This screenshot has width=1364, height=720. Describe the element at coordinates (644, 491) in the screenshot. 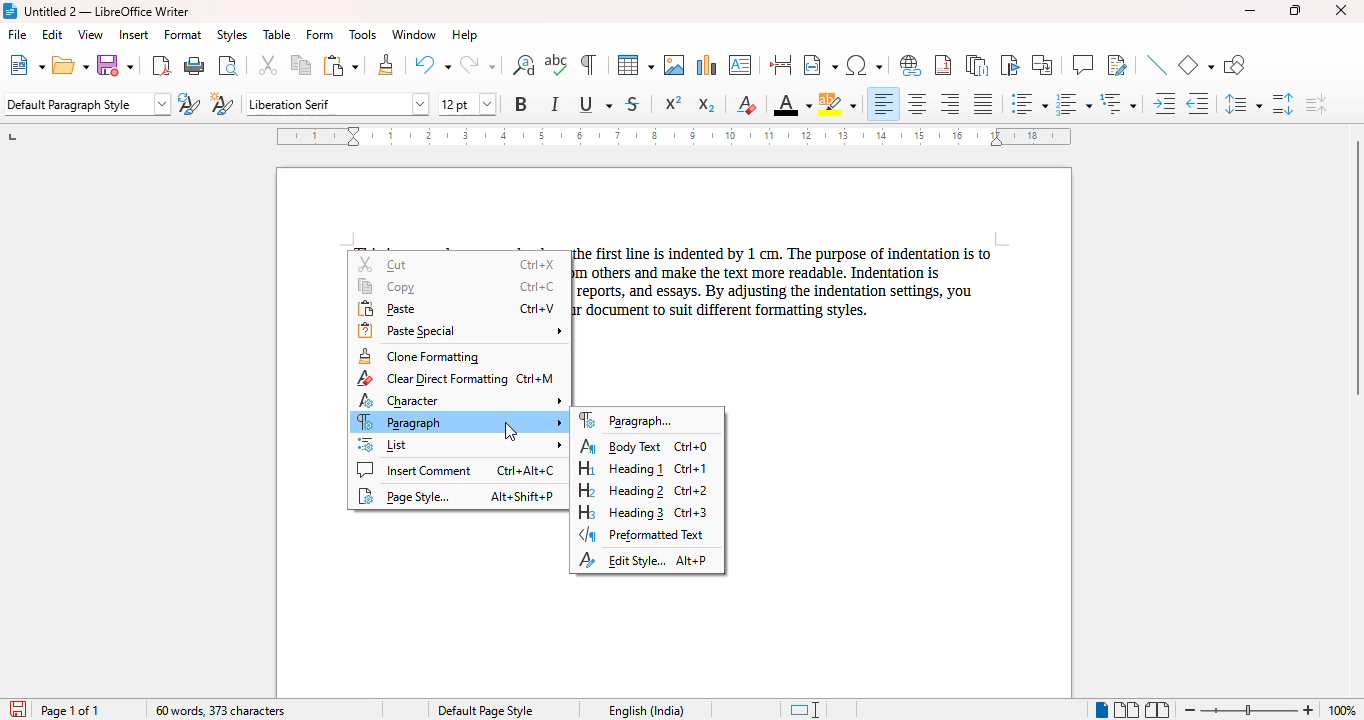

I see `heading 2` at that location.